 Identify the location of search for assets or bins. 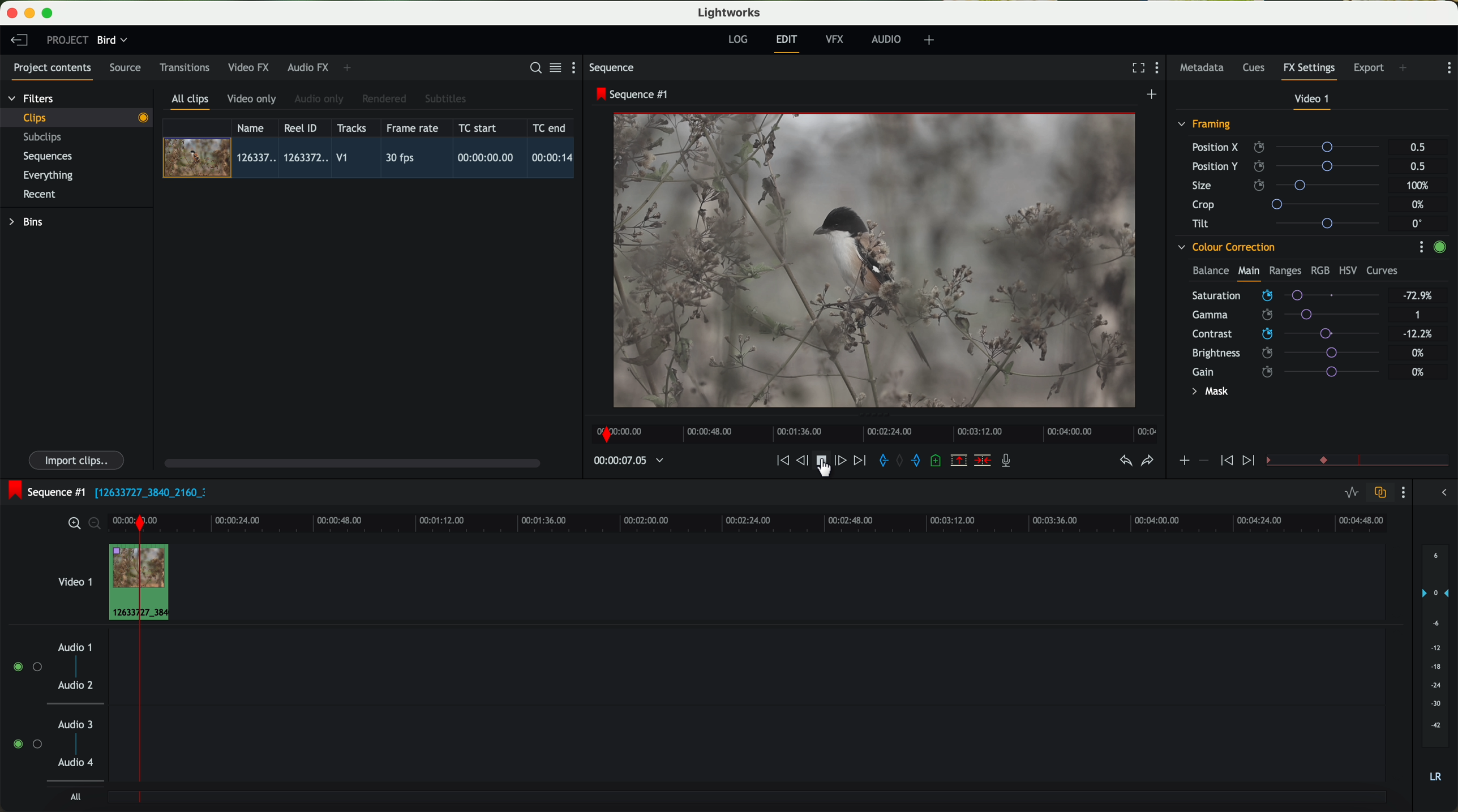
(532, 68).